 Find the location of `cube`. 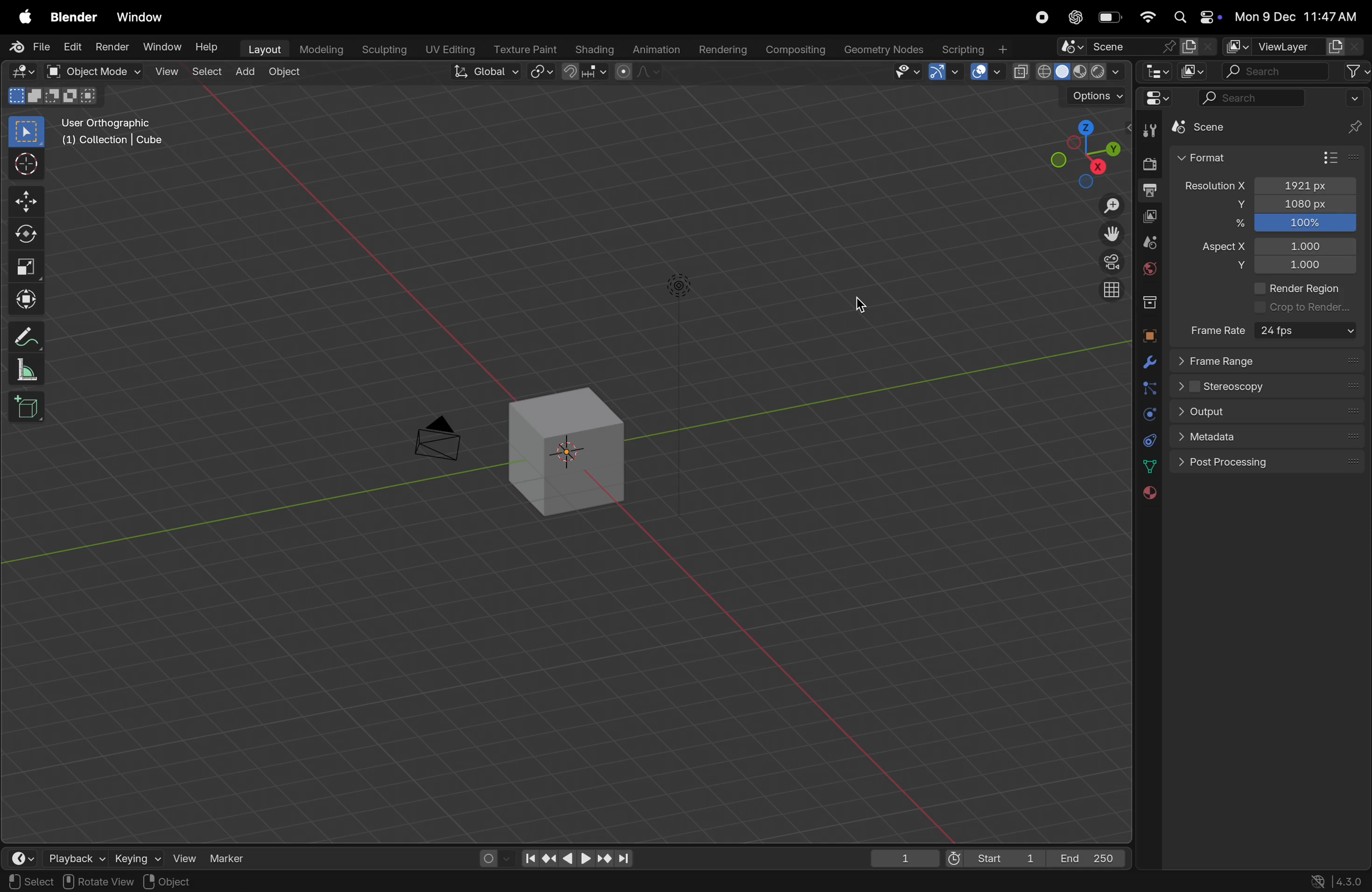

cube is located at coordinates (569, 448).